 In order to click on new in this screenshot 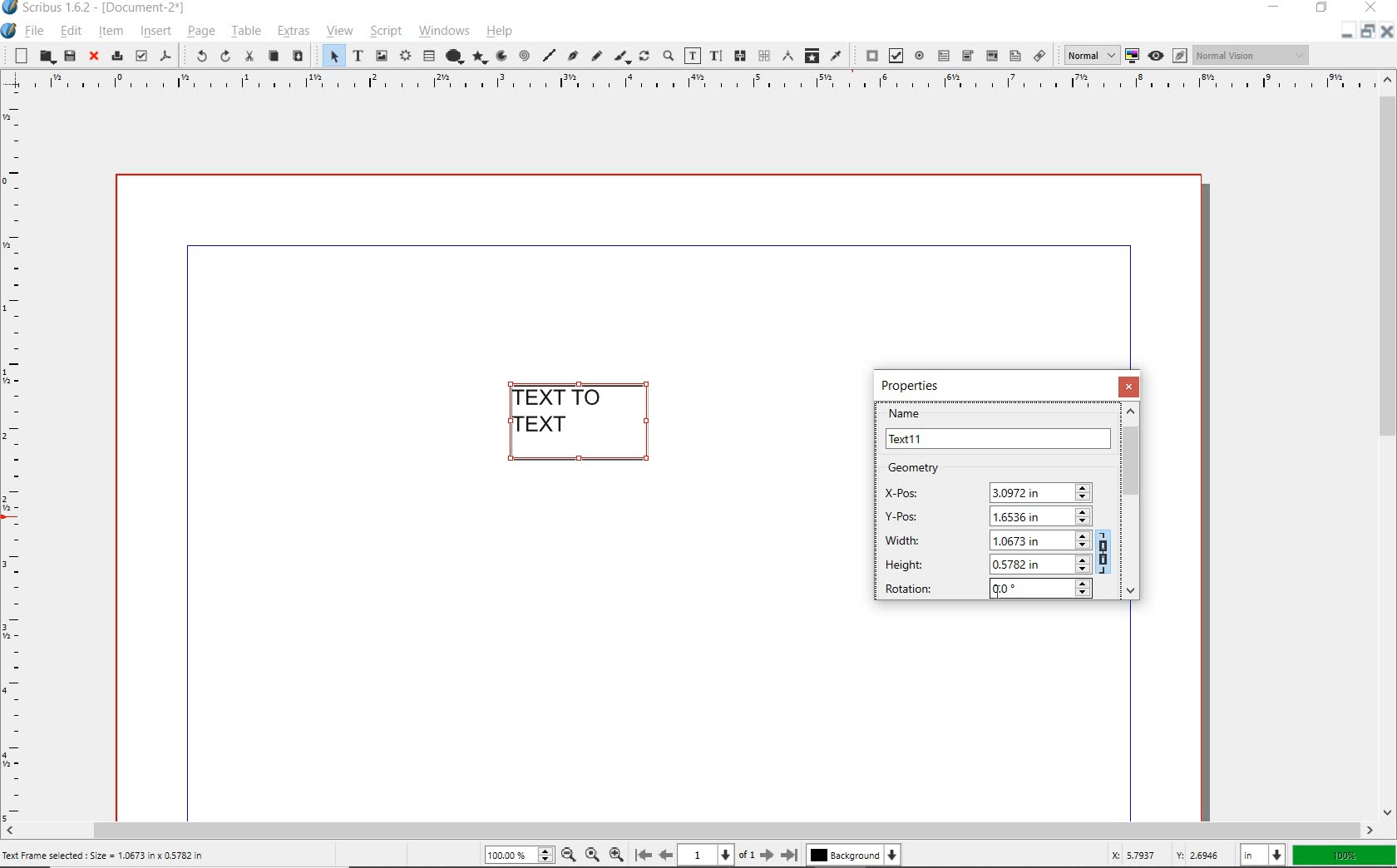, I will do `click(17, 56)`.